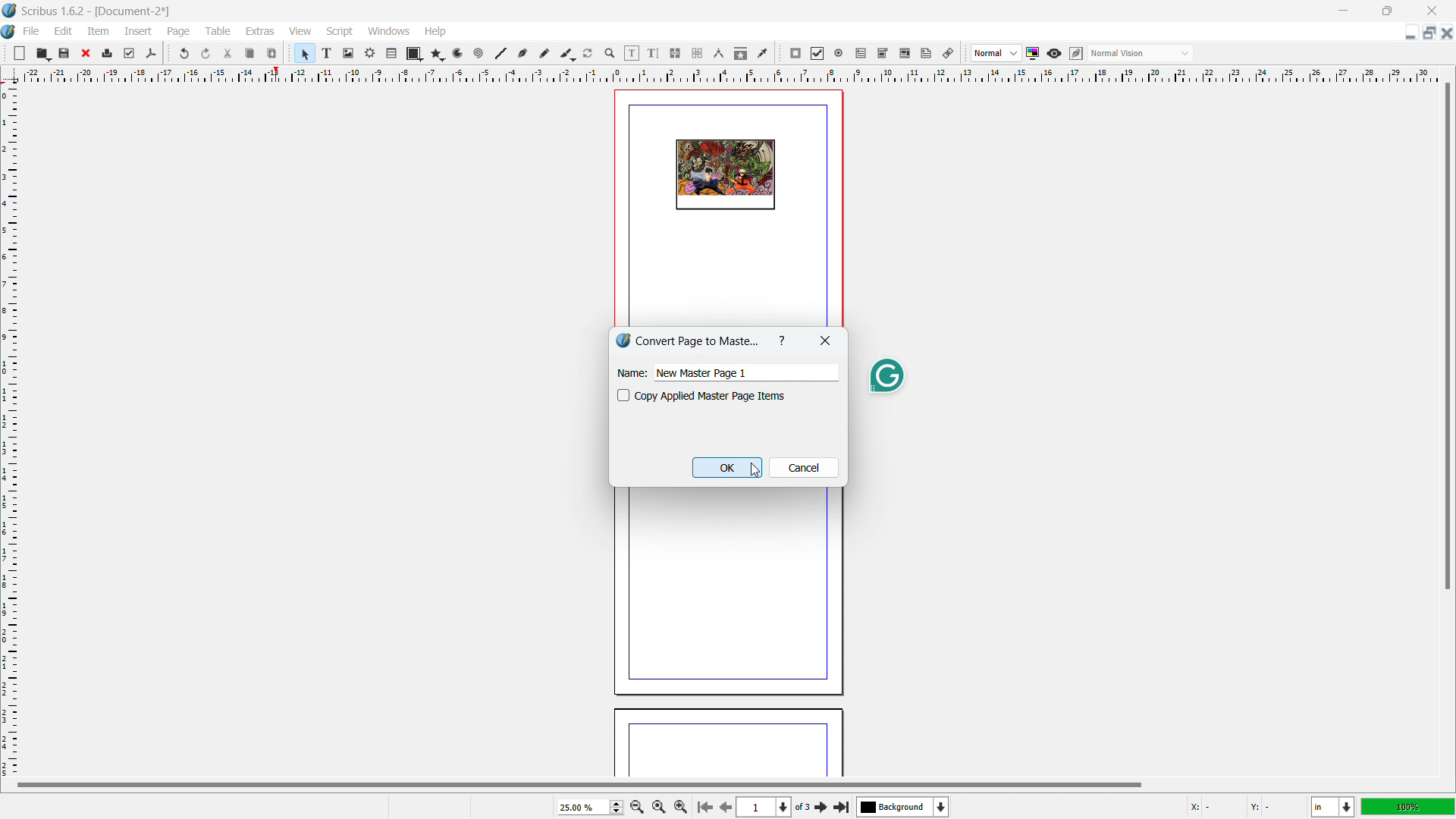 The height and width of the screenshot is (819, 1456). Describe the element at coordinates (718, 54) in the screenshot. I see `measurement` at that location.